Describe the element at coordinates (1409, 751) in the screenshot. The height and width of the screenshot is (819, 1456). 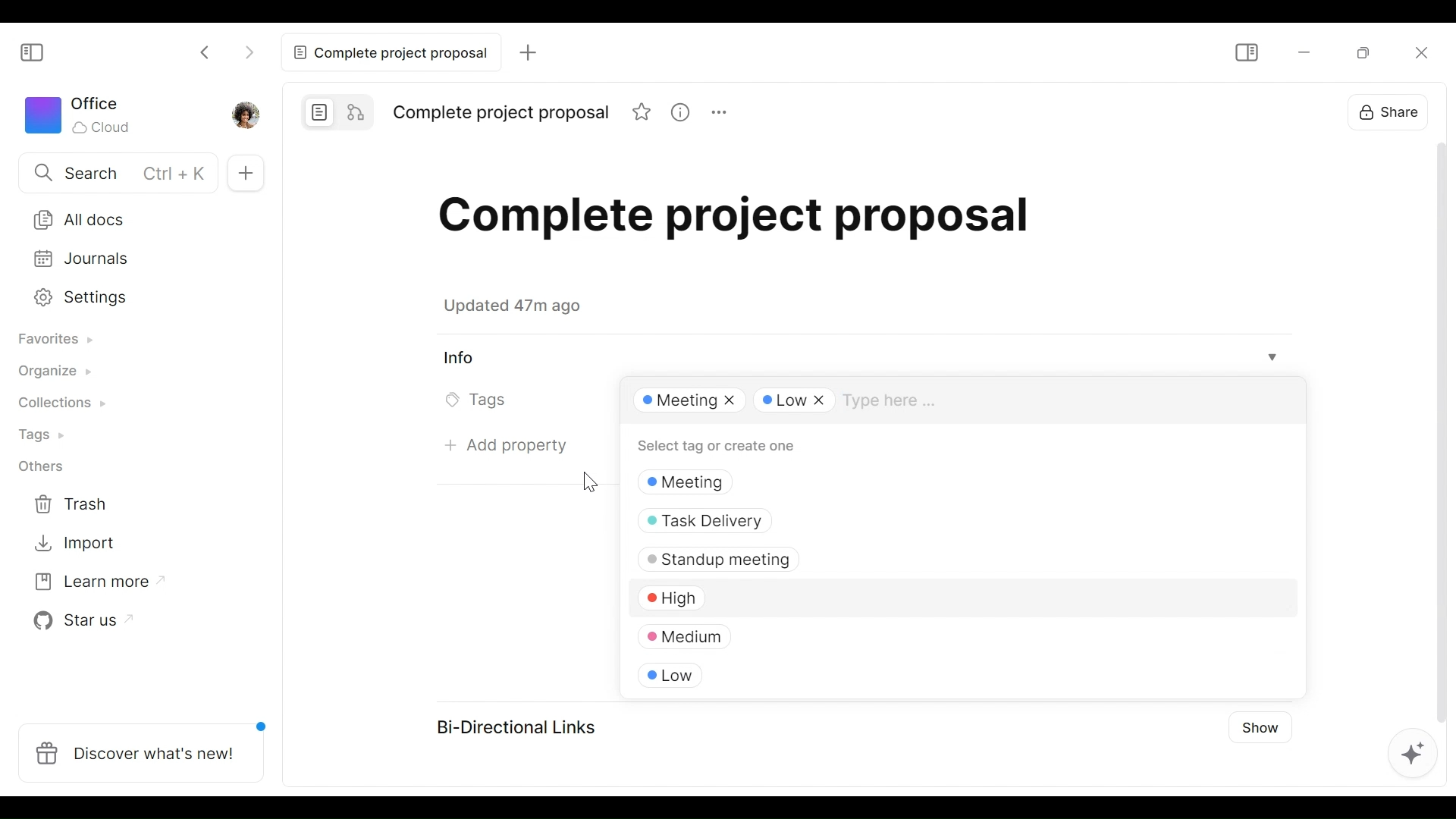
I see `AFFiNE AI` at that location.